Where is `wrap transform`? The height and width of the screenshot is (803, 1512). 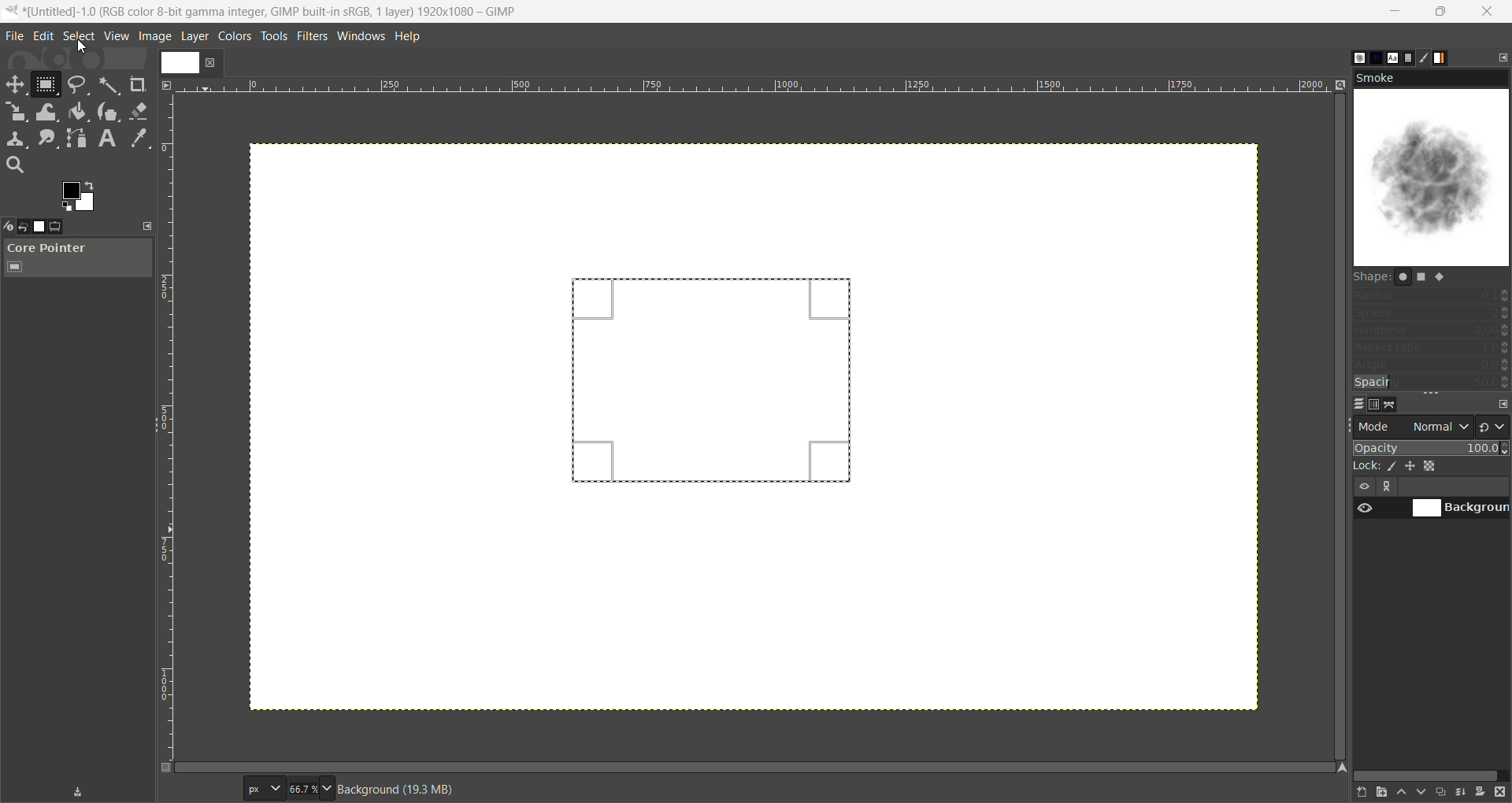 wrap transform is located at coordinates (46, 111).